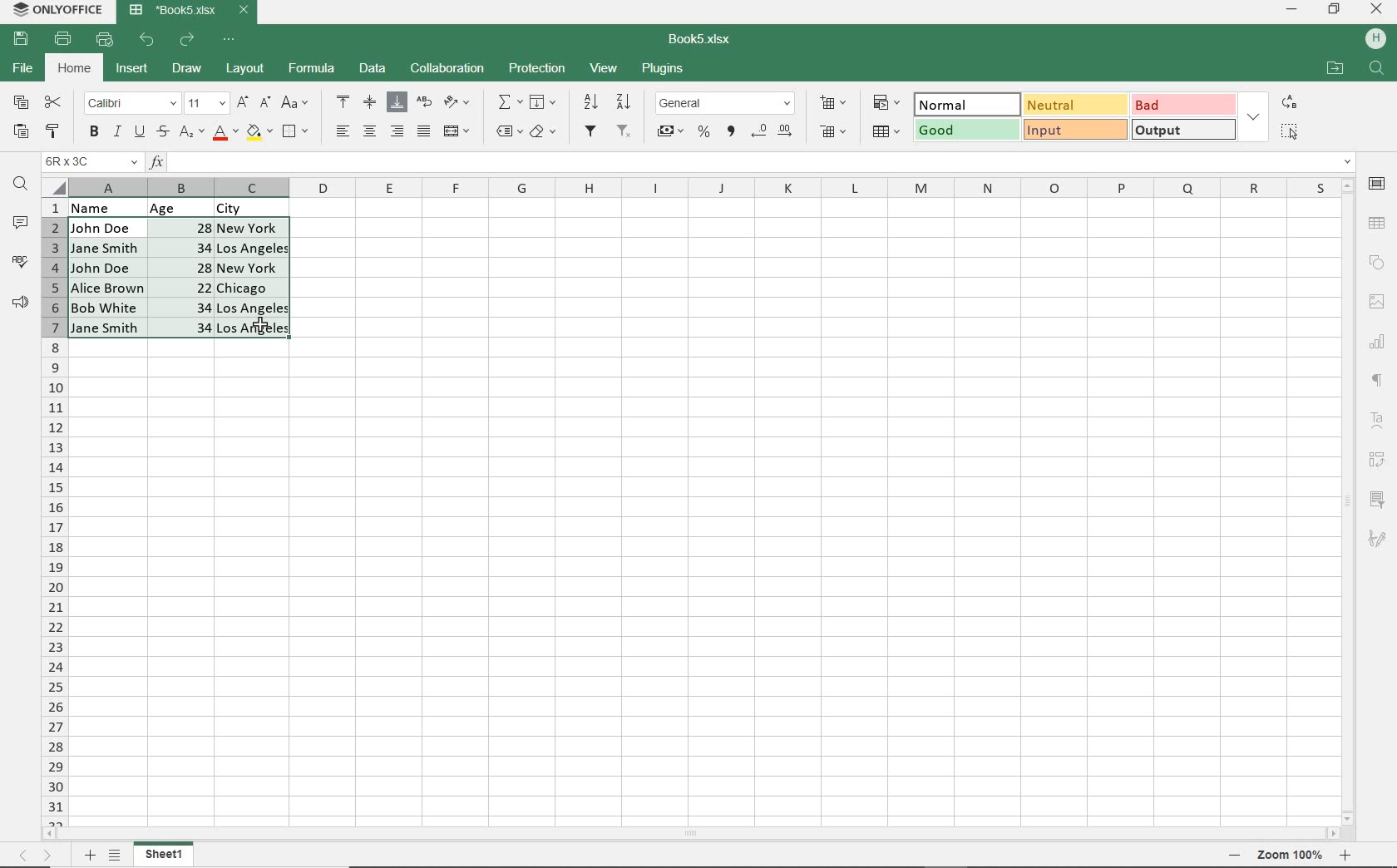 The image size is (1397, 868). I want to click on CUT, so click(54, 102).